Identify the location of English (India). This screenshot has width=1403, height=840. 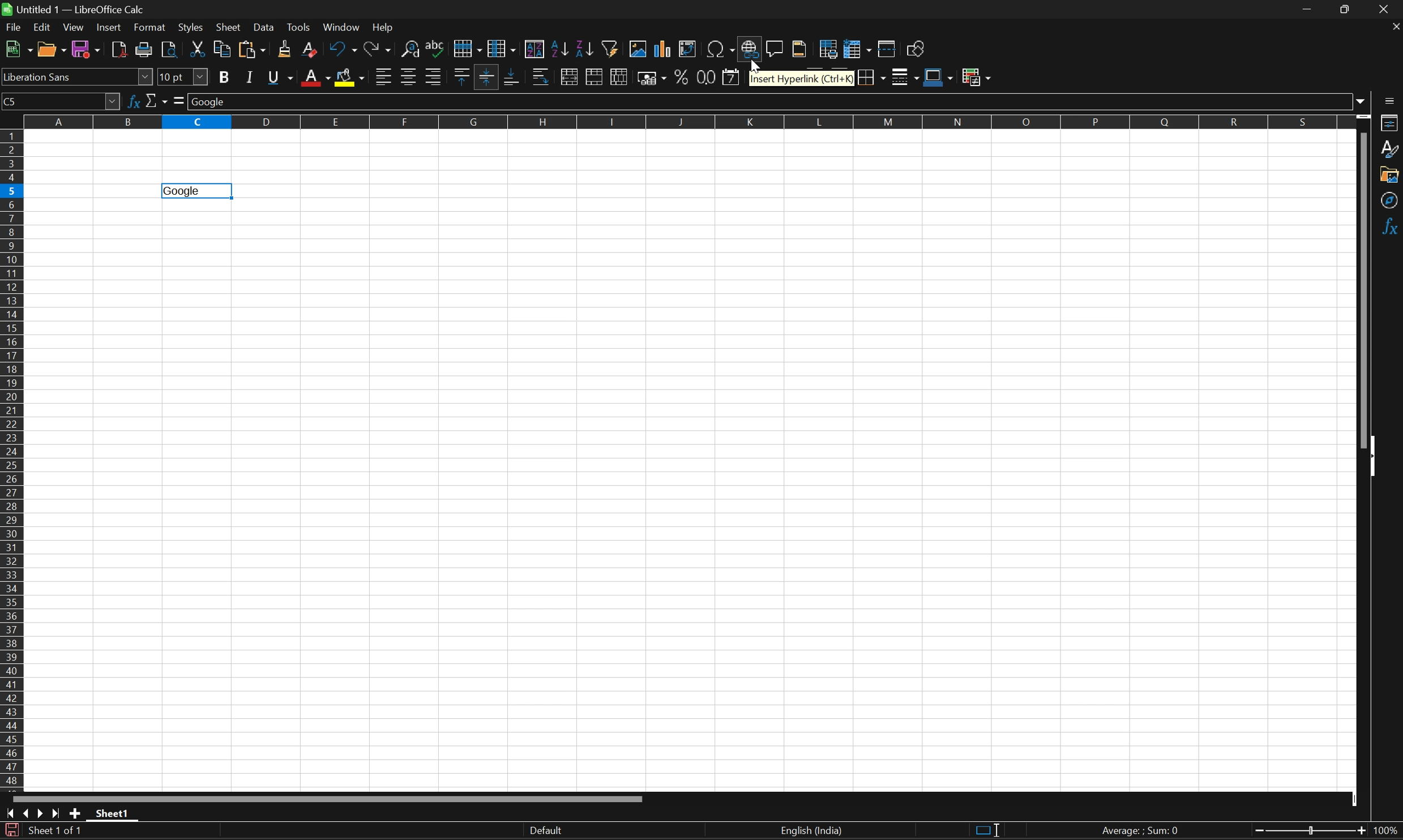
(810, 831).